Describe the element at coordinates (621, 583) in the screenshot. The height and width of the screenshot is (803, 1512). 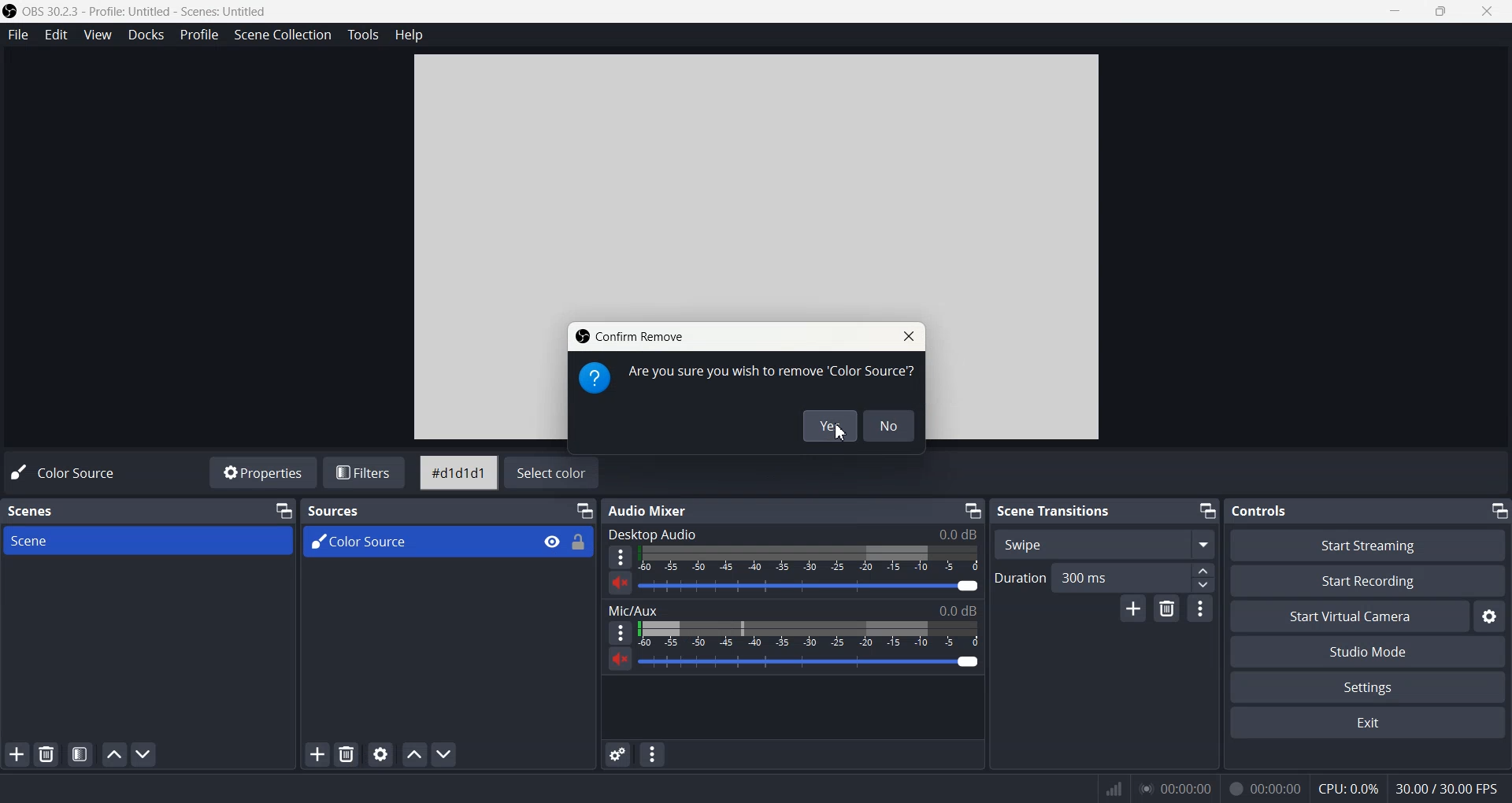
I see `Unmute/ Mute` at that location.